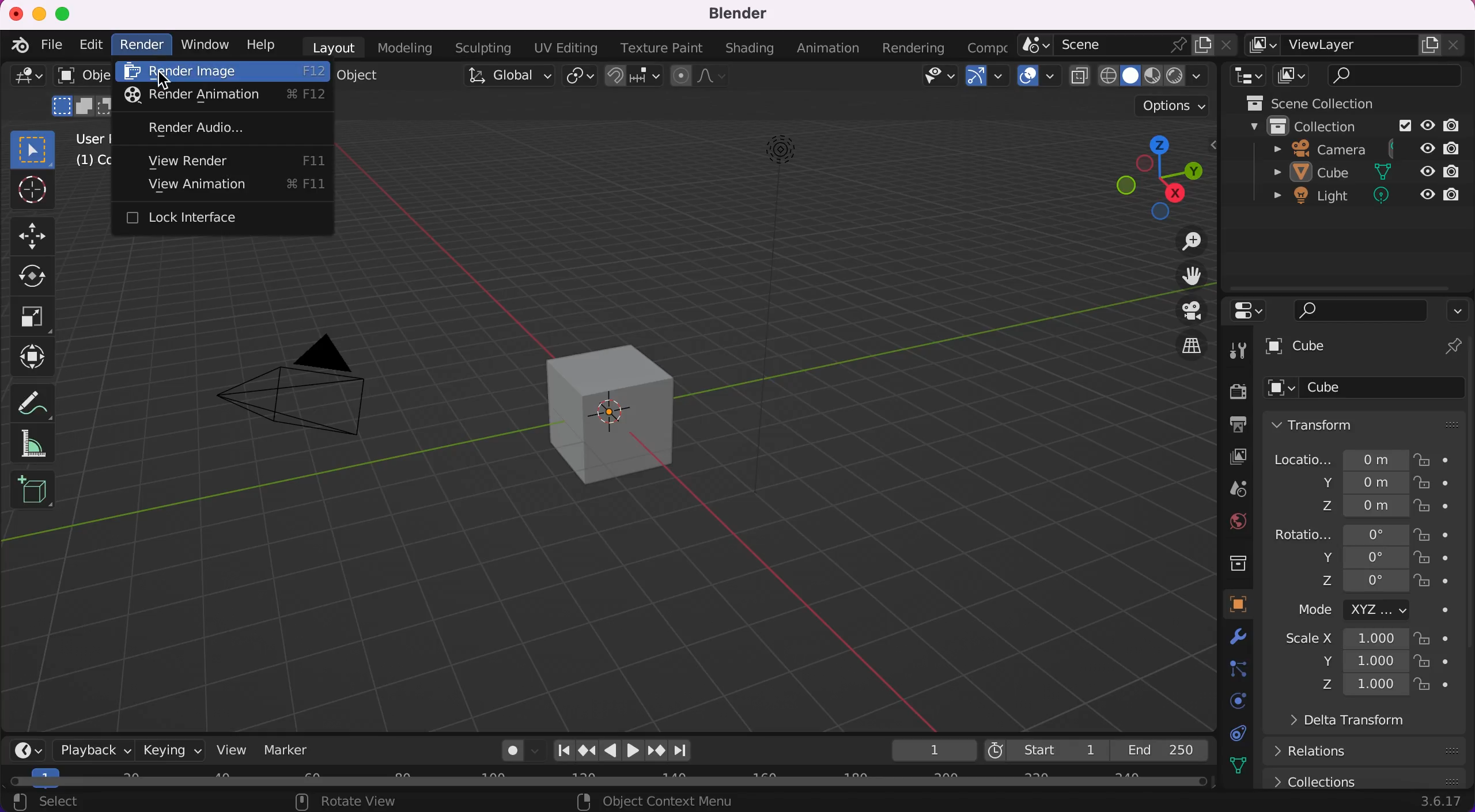 The width and height of the screenshot is (1475, 812). I want to click on select box, so click(32, 149).